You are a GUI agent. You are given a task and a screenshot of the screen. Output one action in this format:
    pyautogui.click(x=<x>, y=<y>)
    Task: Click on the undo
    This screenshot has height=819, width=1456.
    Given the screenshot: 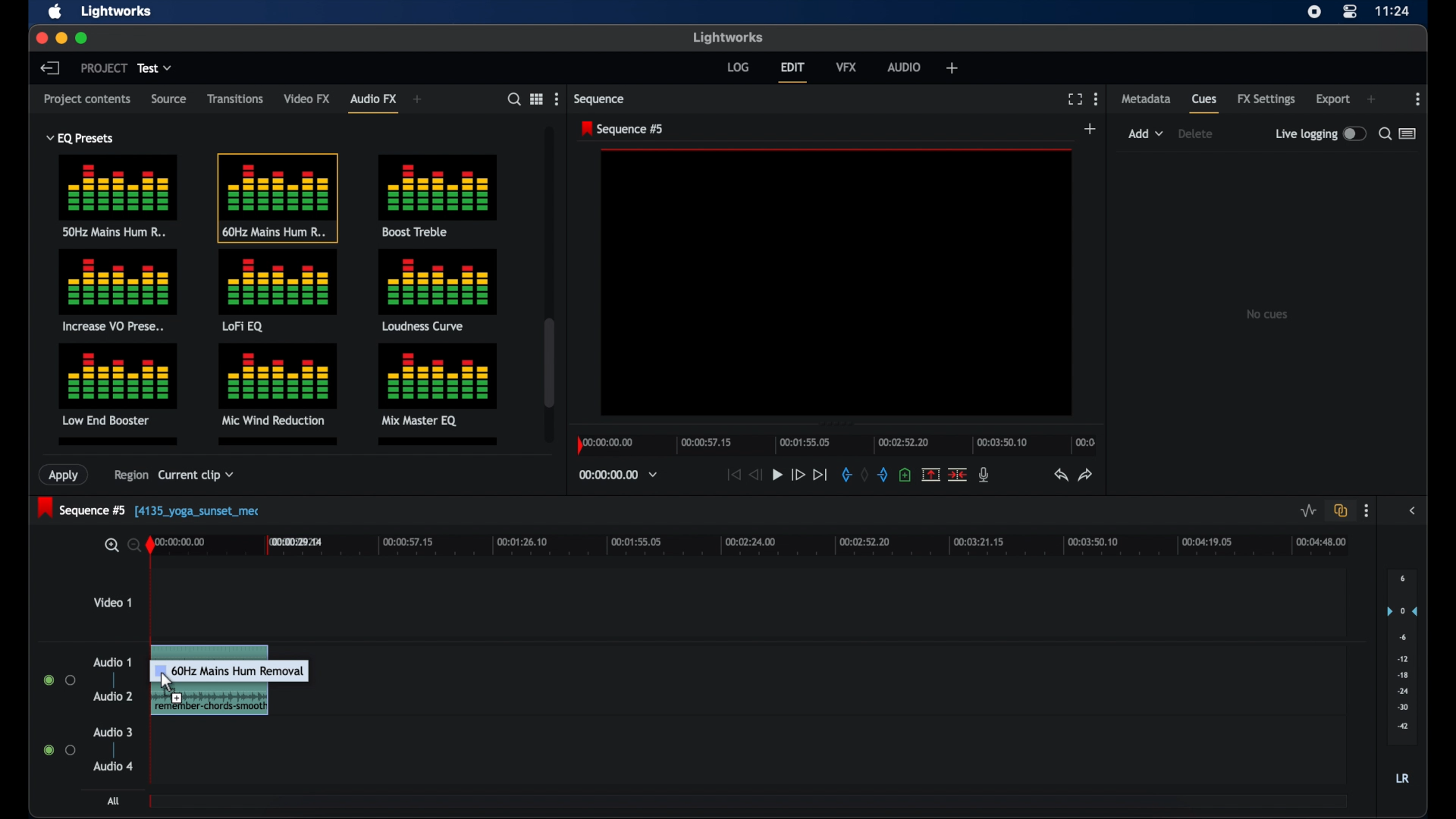 What is the action you would take?
    pyautogui.click(x=1059, y=475)
    